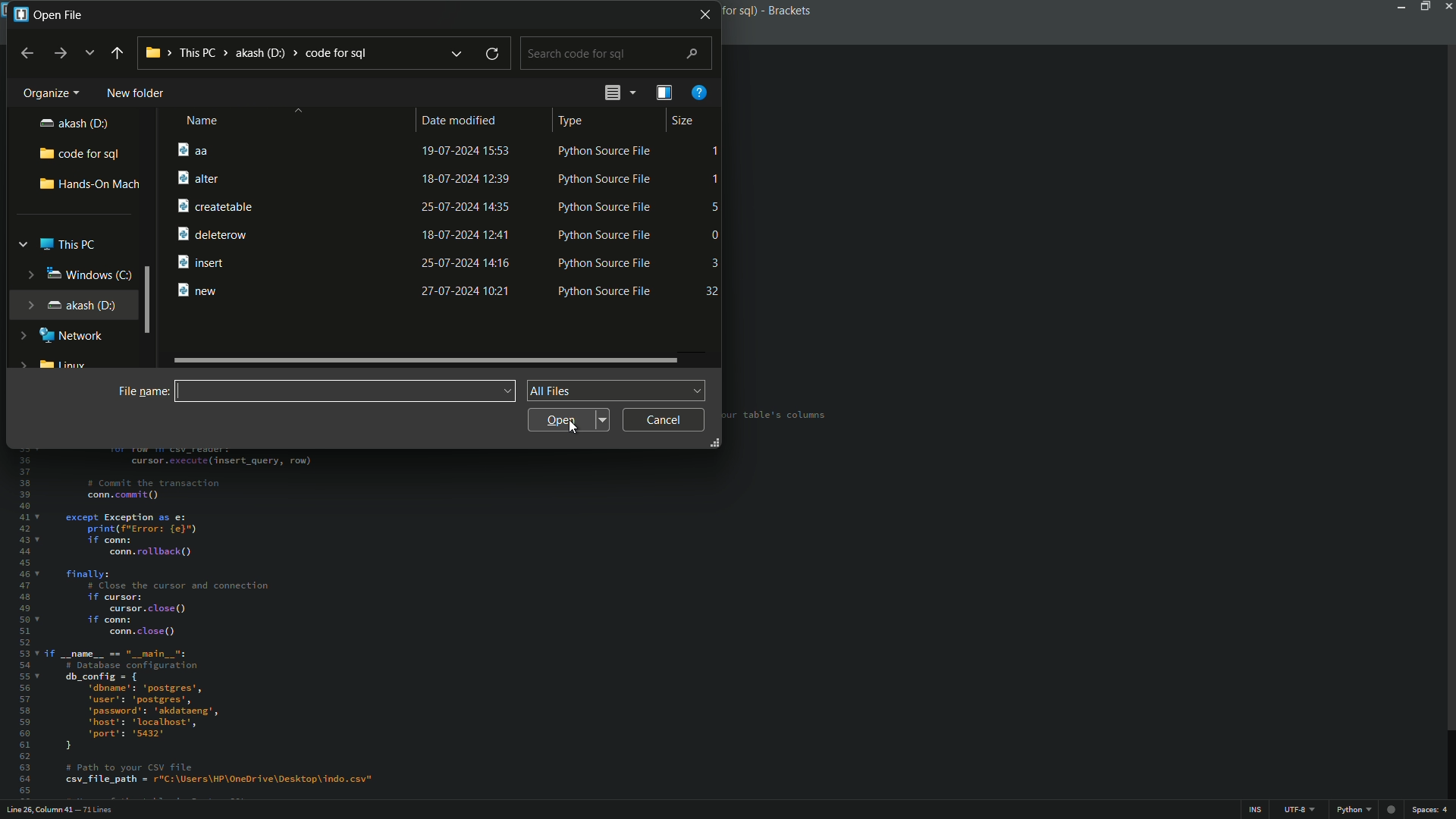 This screenshot has width=1456, height=819. I want to click on name, so click(199, 121).